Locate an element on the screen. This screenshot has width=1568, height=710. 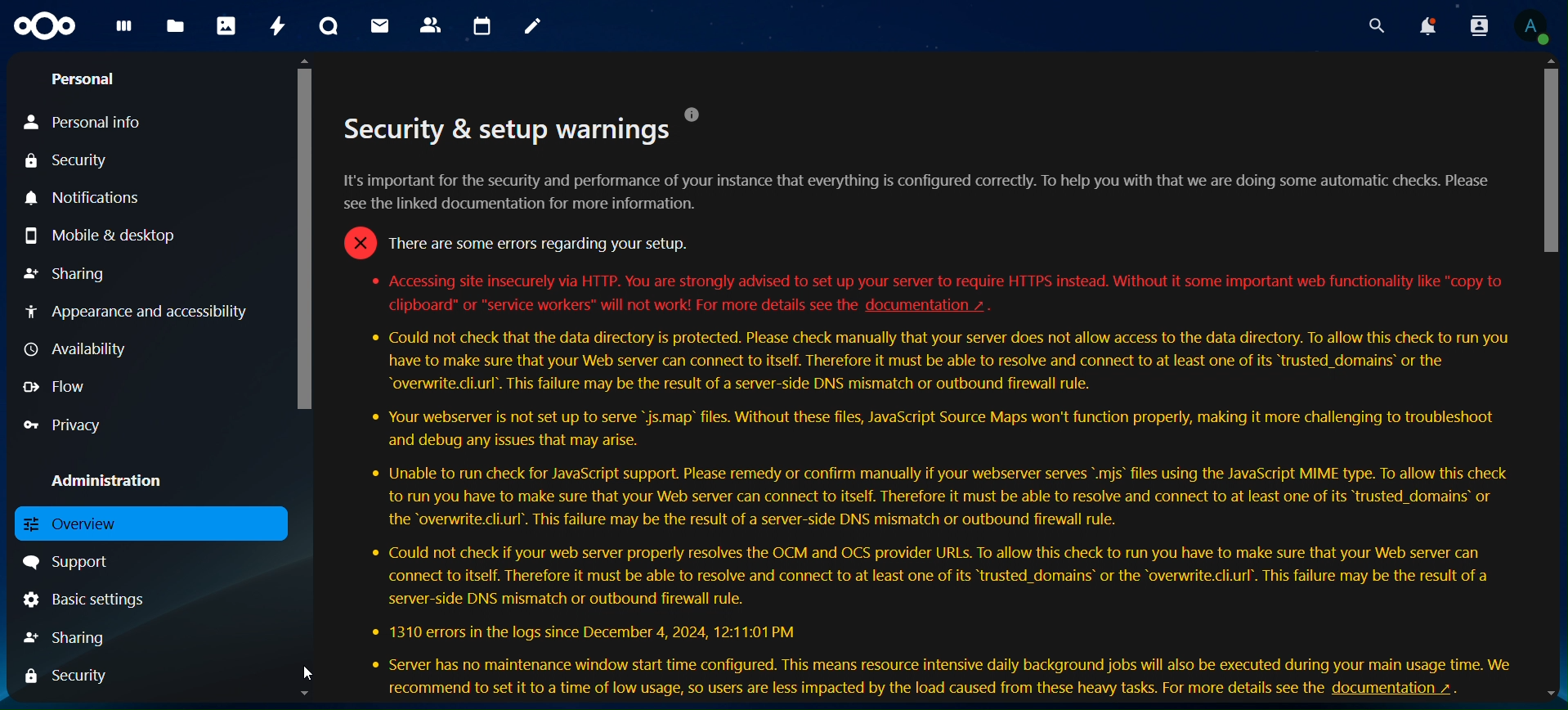
personal is located at coordinates (87, 79).